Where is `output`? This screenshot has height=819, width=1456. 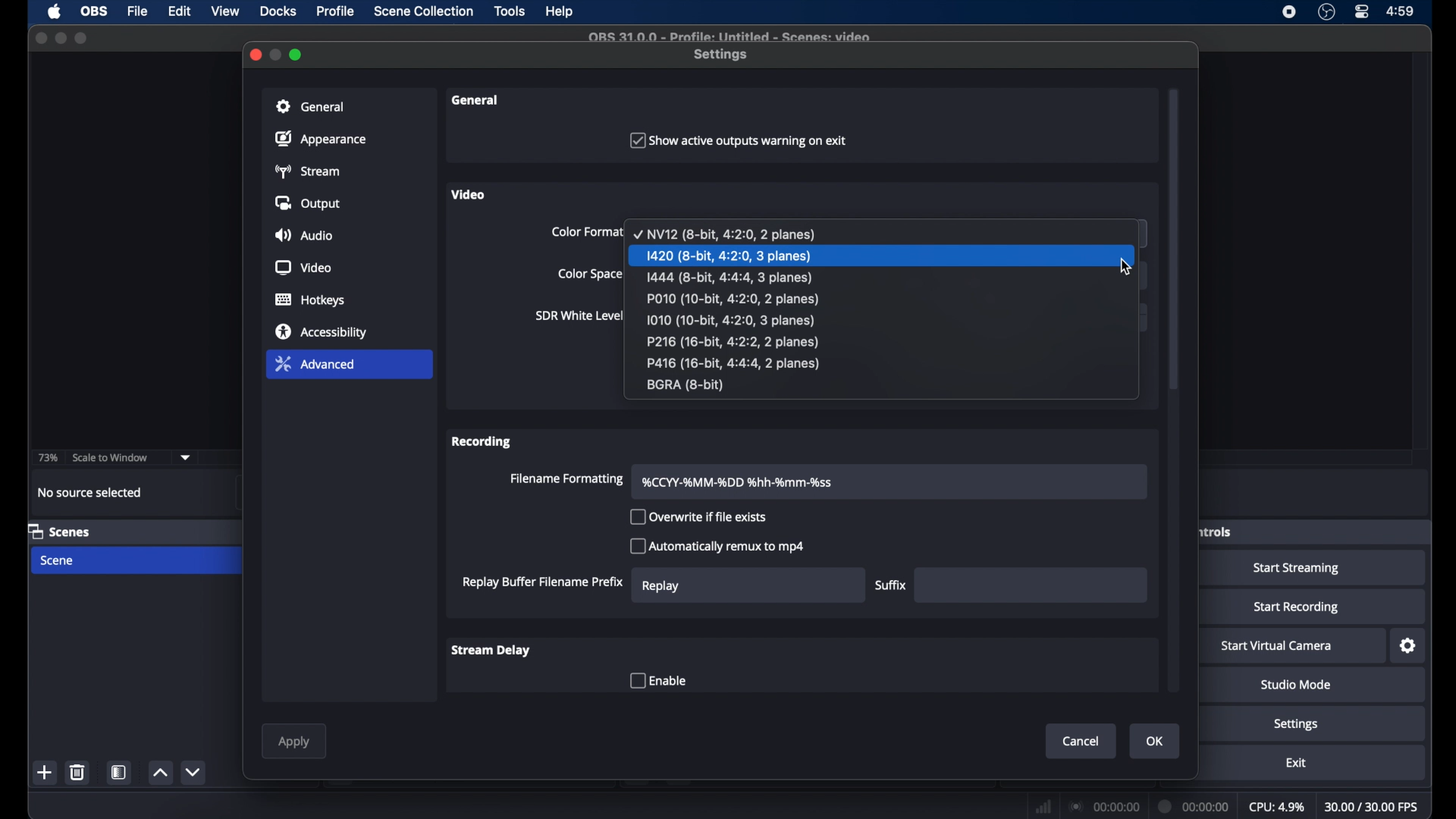
output is located at coordinates (308, 204).